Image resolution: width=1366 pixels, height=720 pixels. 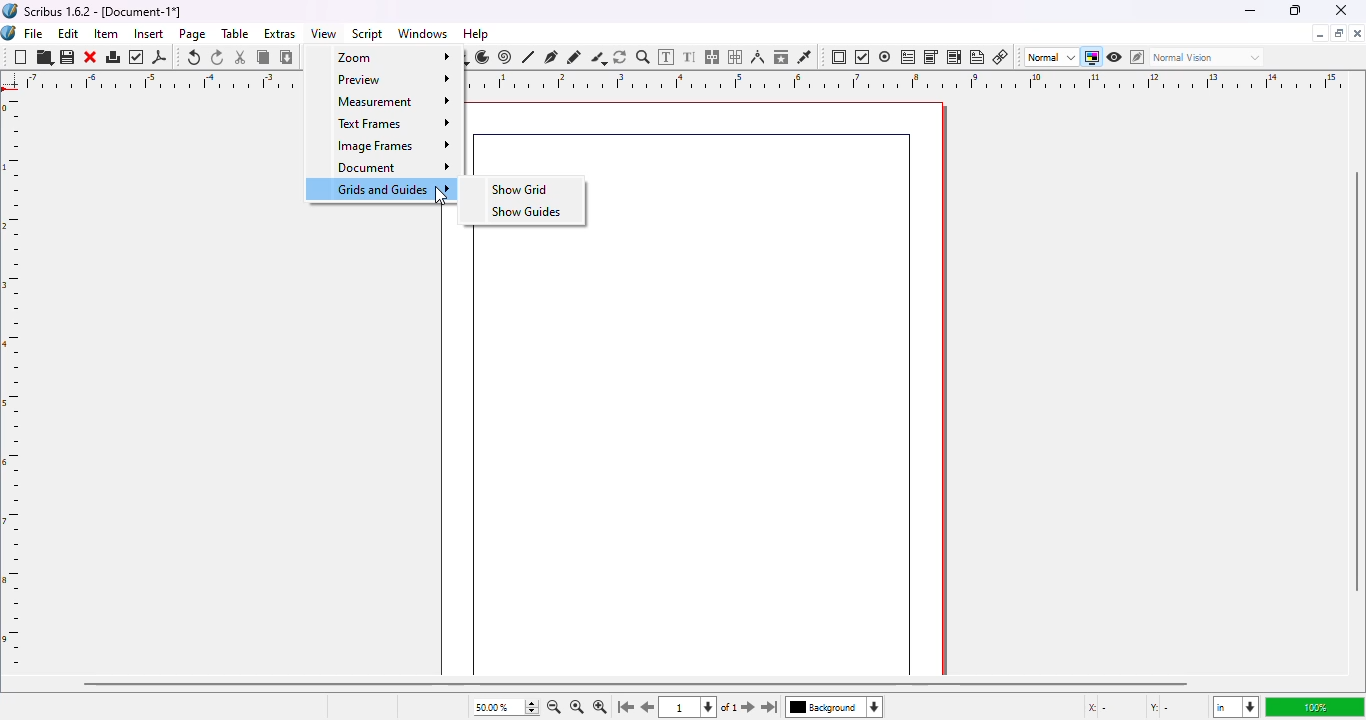 I want to click on toggle color management system, so click(x=1091, y=57).